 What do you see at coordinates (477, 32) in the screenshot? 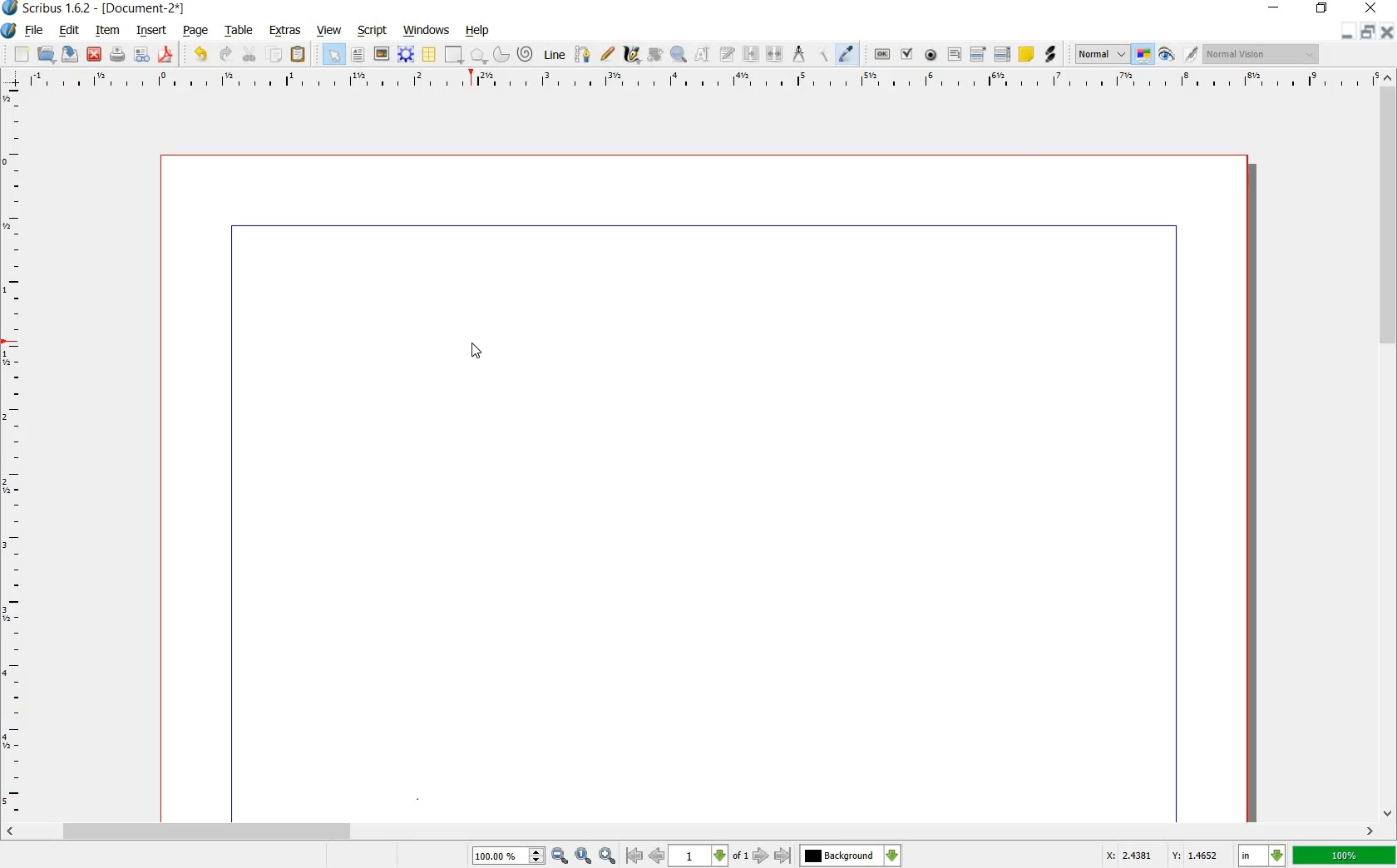
I see `HELP` at bounding box center [477, 32].